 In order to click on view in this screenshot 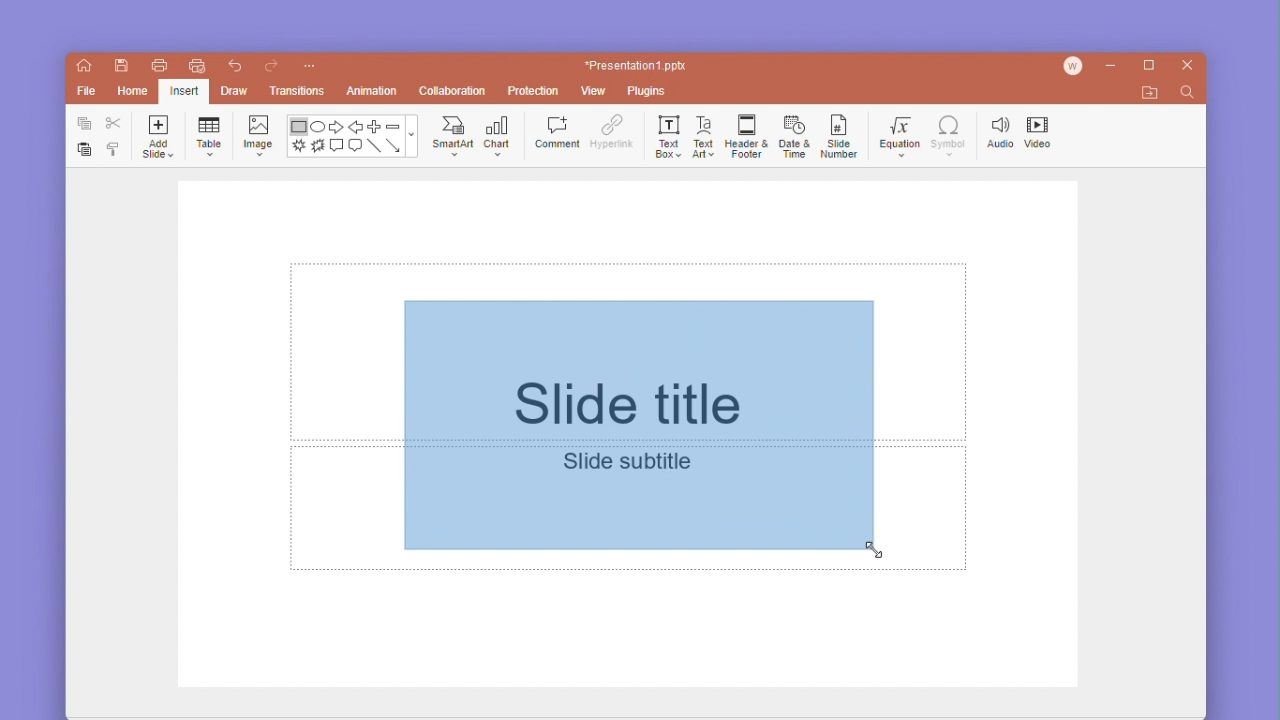, I will do `click(596, 91)`.